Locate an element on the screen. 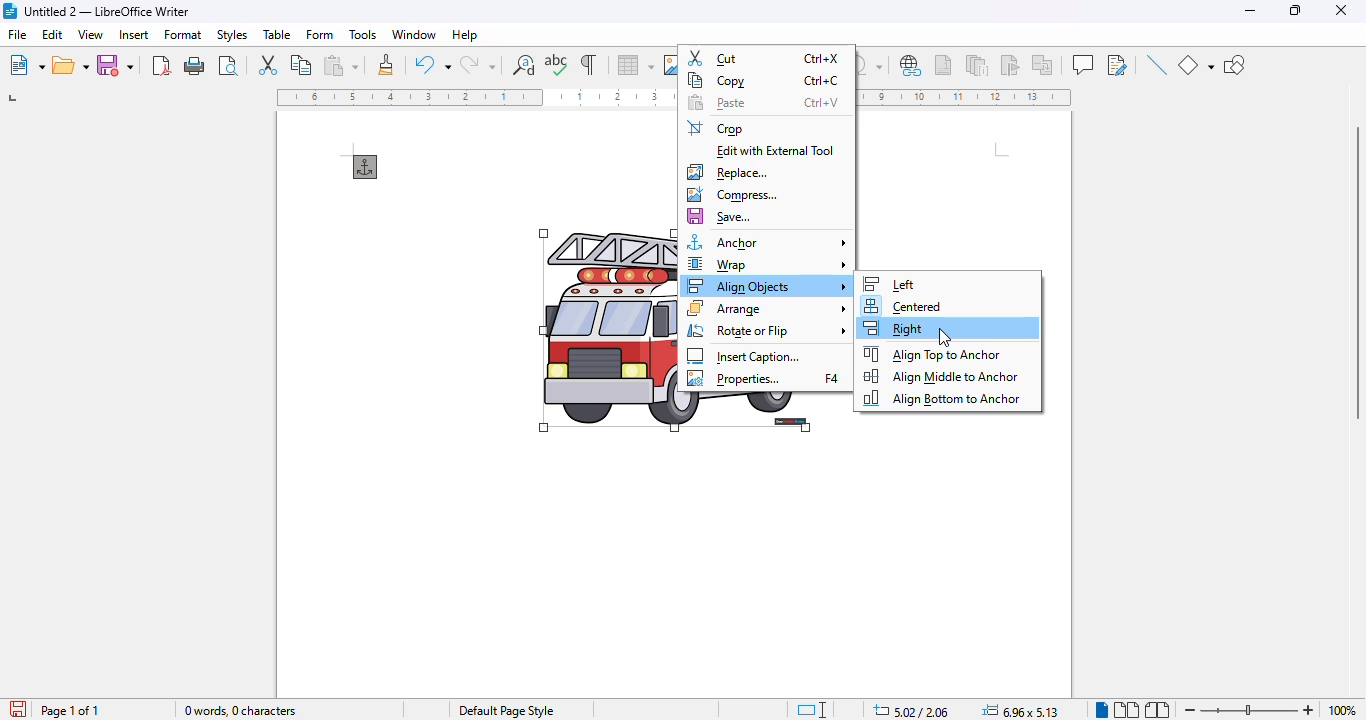 Image resolution: width=1366 pixels, height=720 pixels. save is located at coordinates (720, 217).